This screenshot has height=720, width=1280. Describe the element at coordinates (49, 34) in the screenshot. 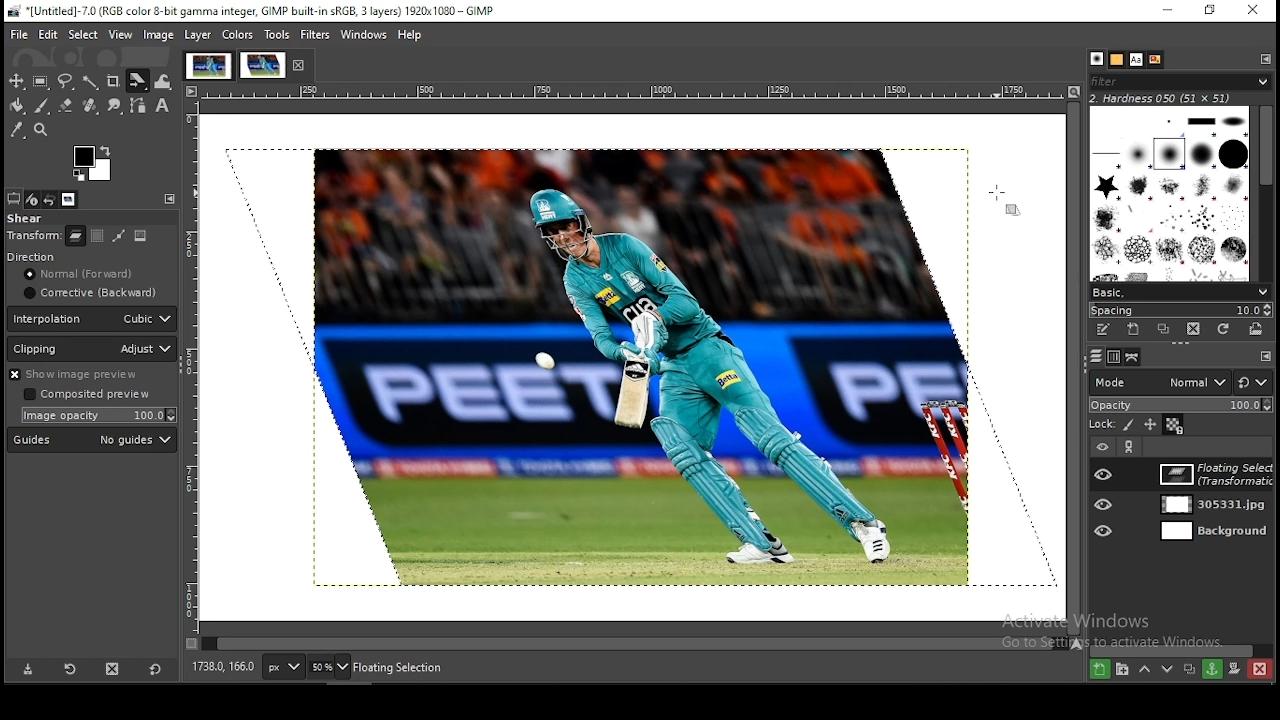

I see `edit` at that location.